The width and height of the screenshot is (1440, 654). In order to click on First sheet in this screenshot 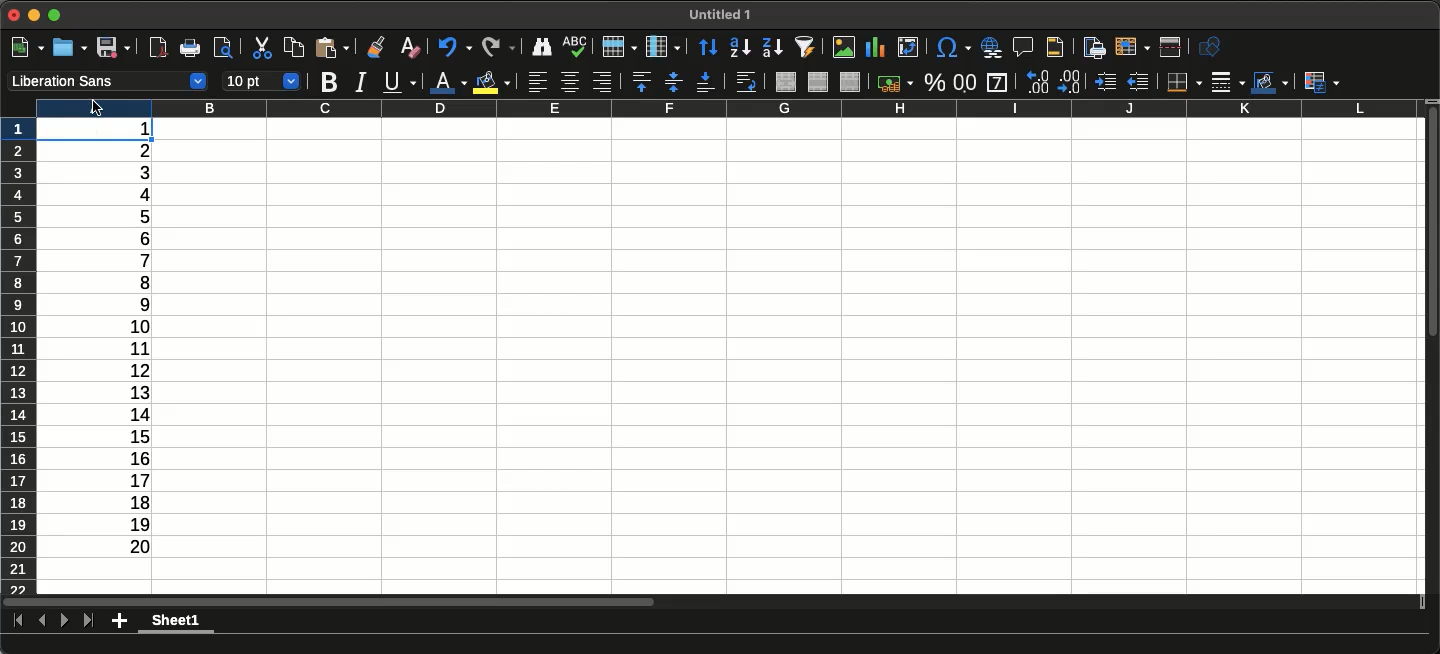, I will do `click(18, 620)`.